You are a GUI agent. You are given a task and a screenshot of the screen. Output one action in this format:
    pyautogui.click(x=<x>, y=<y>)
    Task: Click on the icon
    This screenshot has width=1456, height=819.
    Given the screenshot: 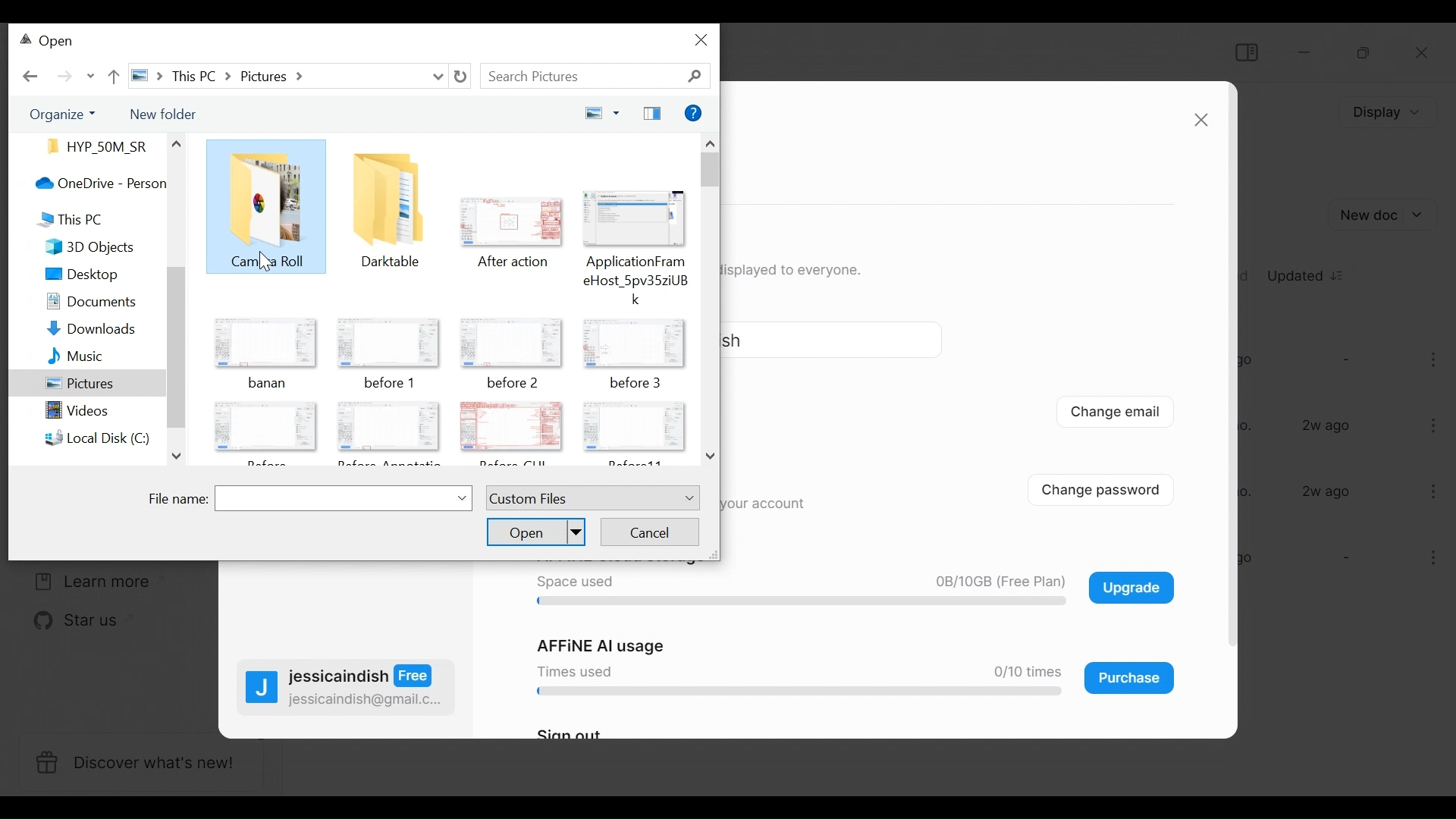 What is the action you would take?
    pyautogui.click(x=387, y=196)
    